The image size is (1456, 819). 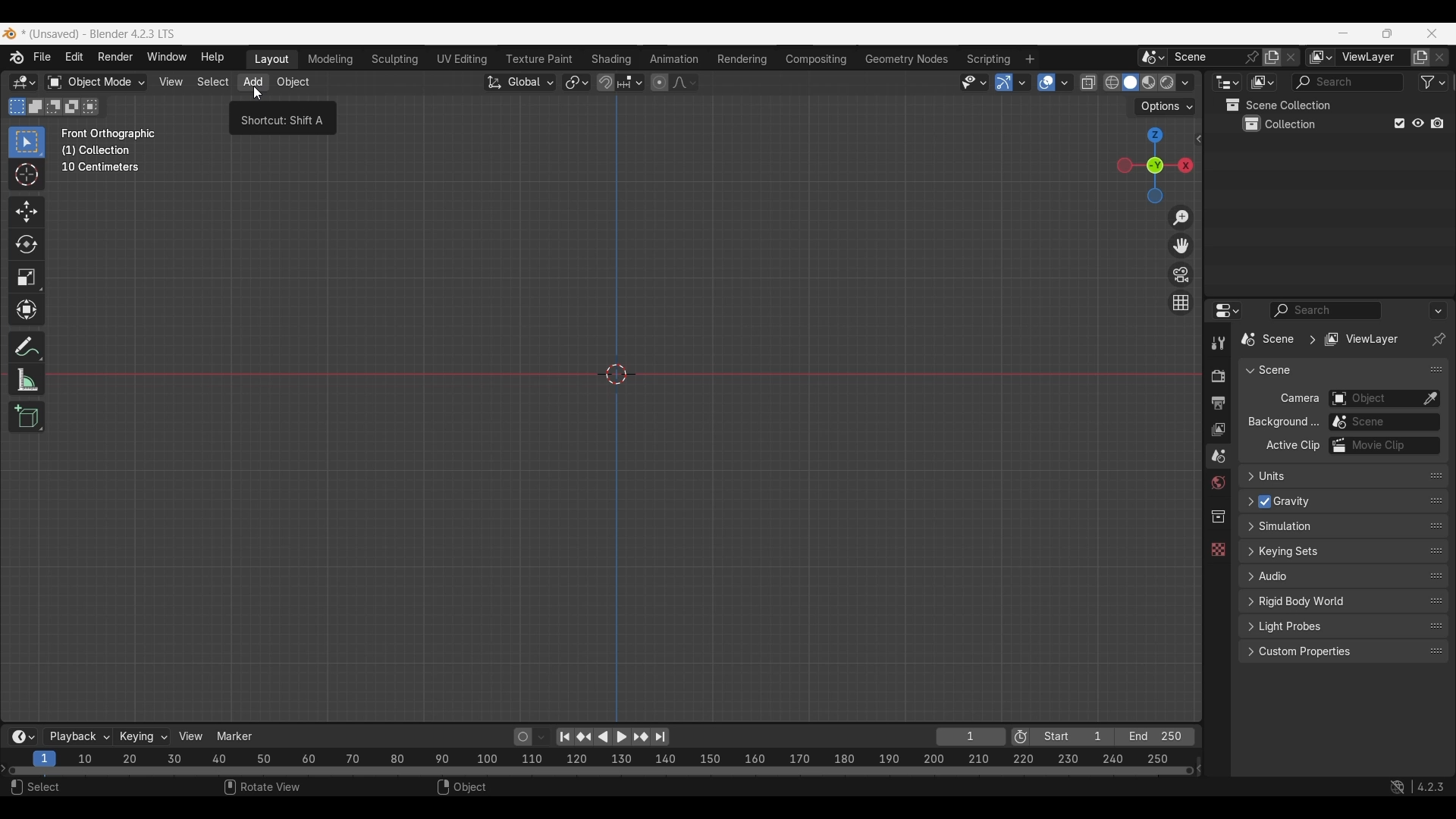 I want to click on Select, so click(x=35, y=787).